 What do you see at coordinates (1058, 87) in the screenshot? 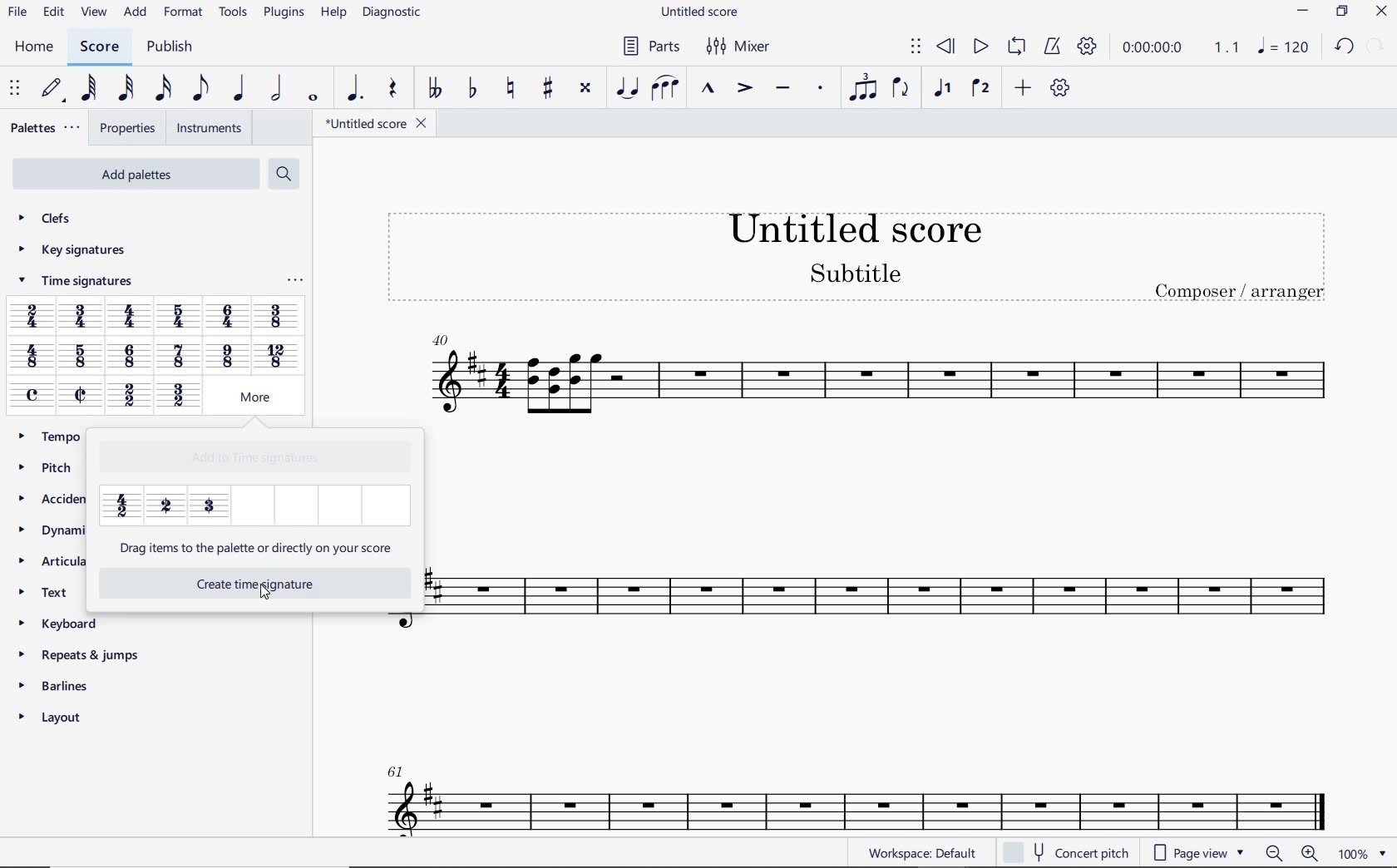
I see `CUSTOMIZE TOOLBAR` at bounding box center [1058, 87].